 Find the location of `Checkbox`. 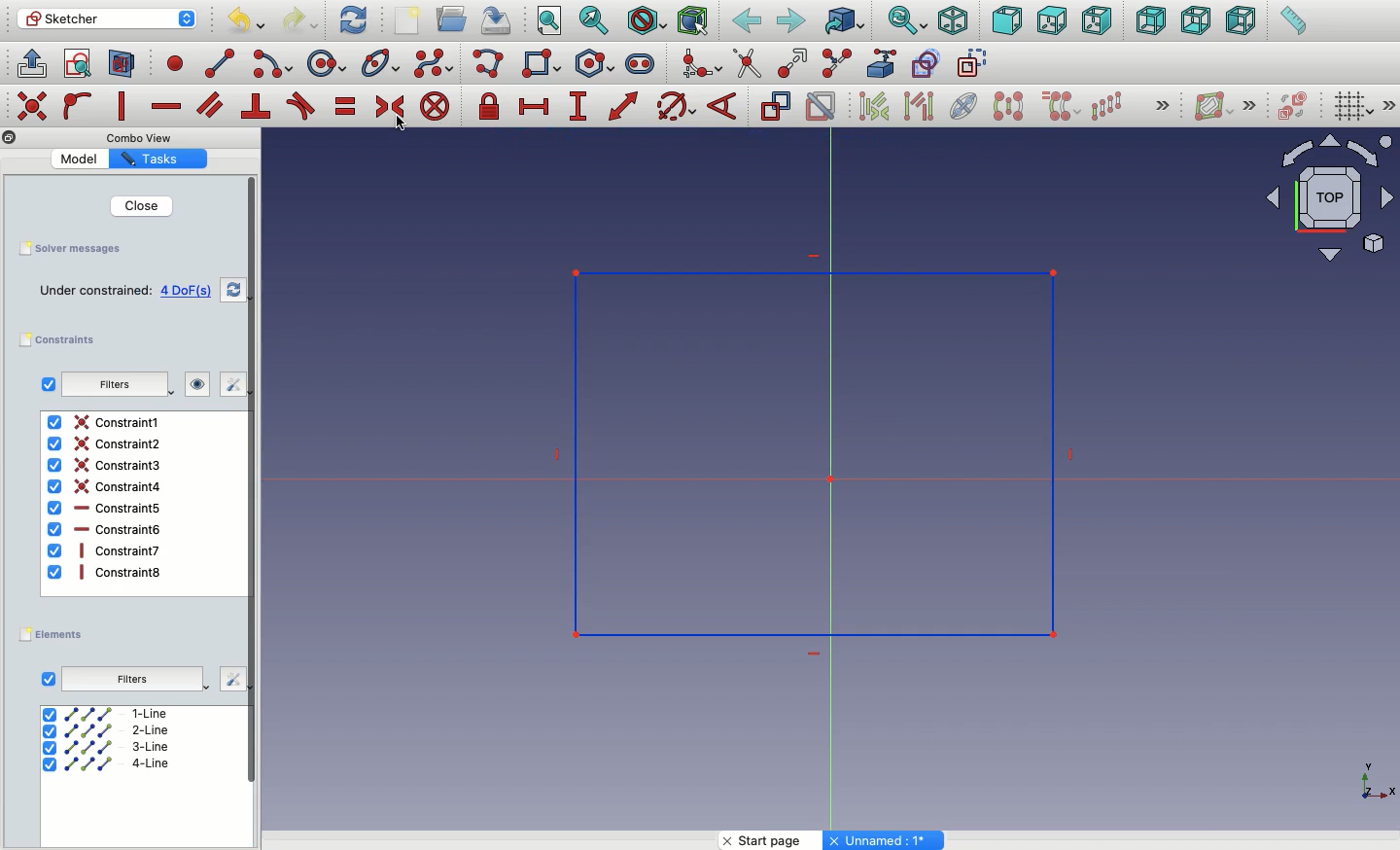

Checkbox is located at coordinates (49, 680).